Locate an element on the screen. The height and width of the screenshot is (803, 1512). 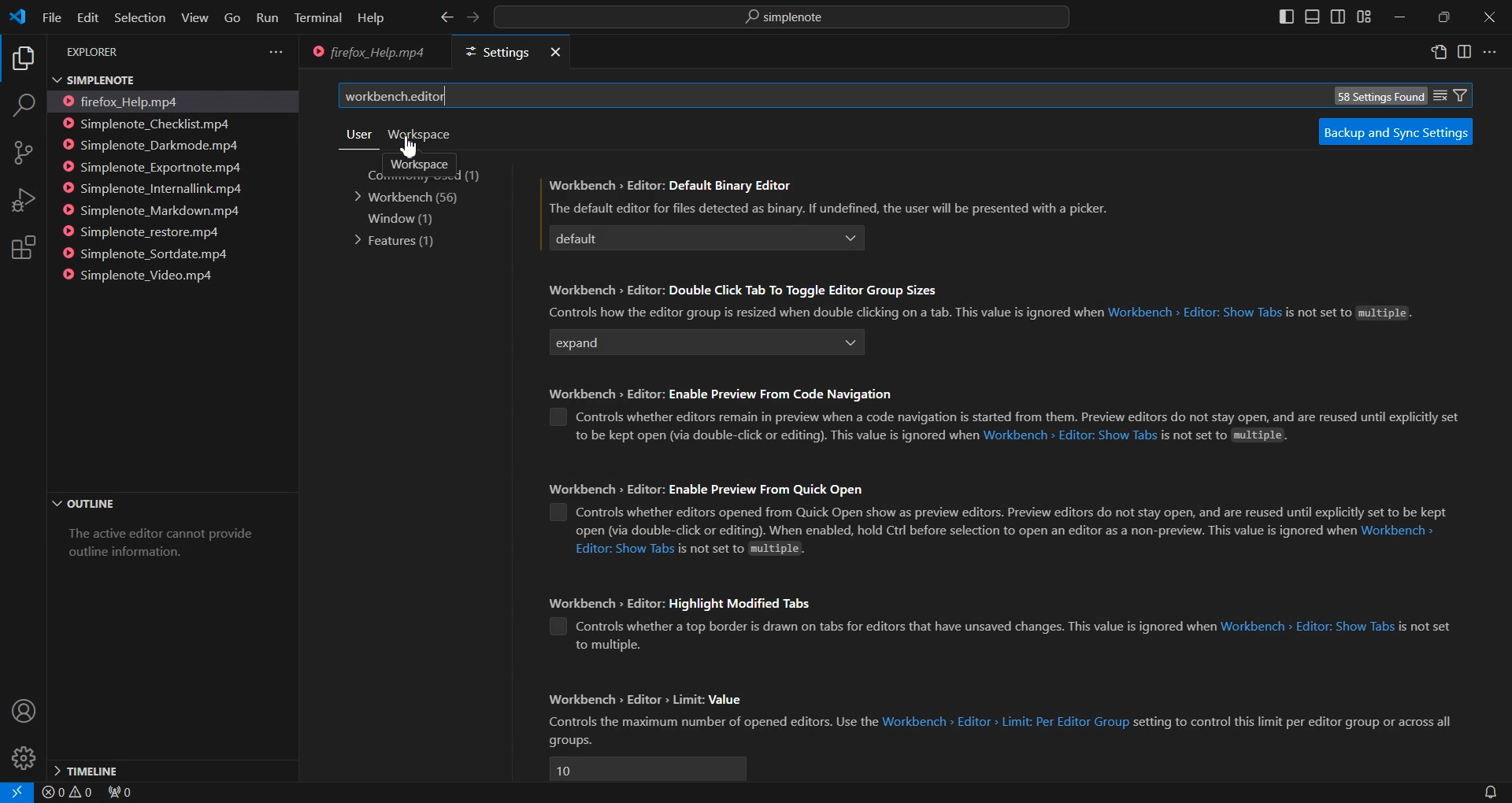
Drop down box is located at coordinates (854, 342).